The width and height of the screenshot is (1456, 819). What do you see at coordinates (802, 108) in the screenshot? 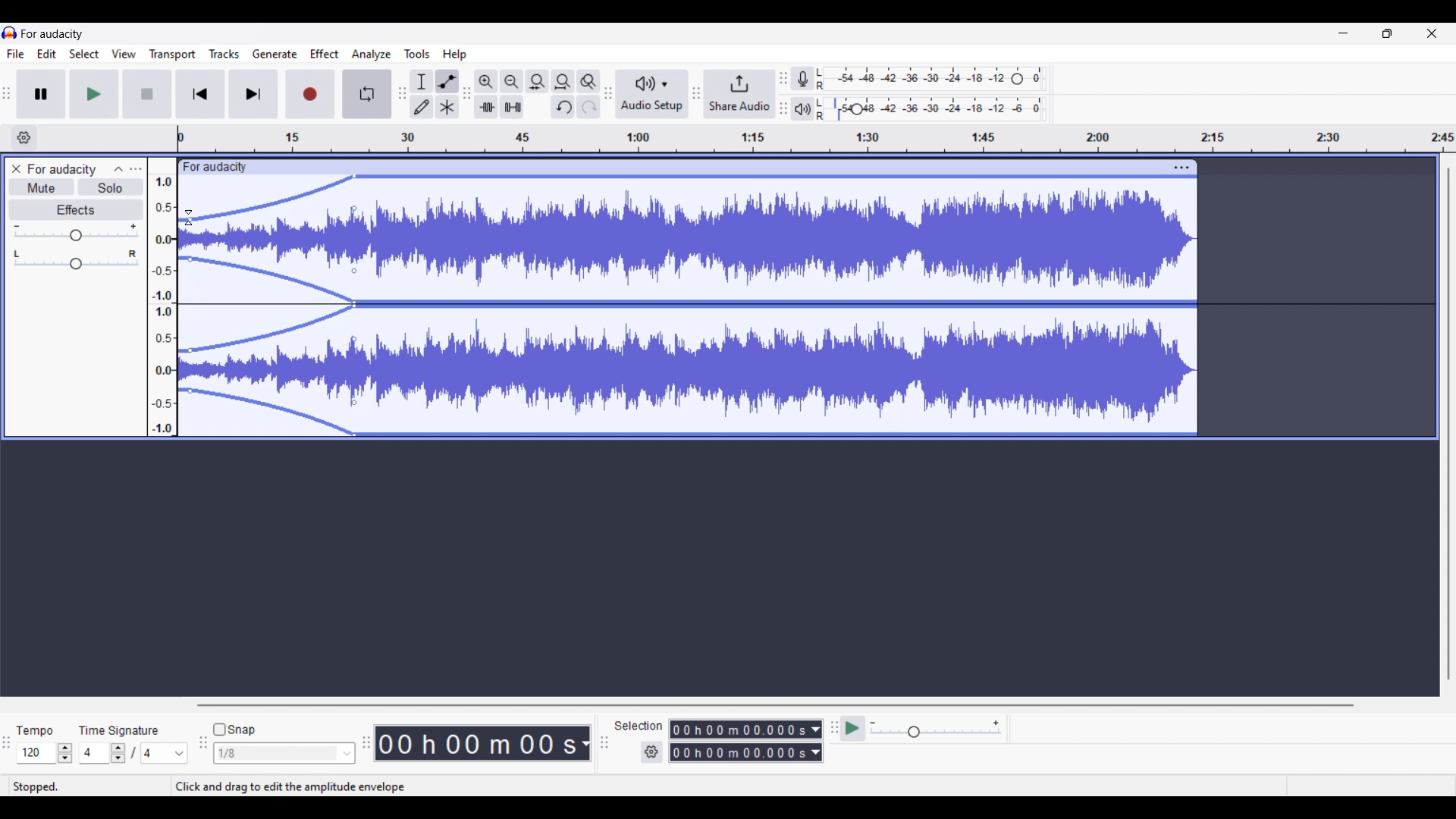
I see `Playback meter` at bounding box center [802, 108].